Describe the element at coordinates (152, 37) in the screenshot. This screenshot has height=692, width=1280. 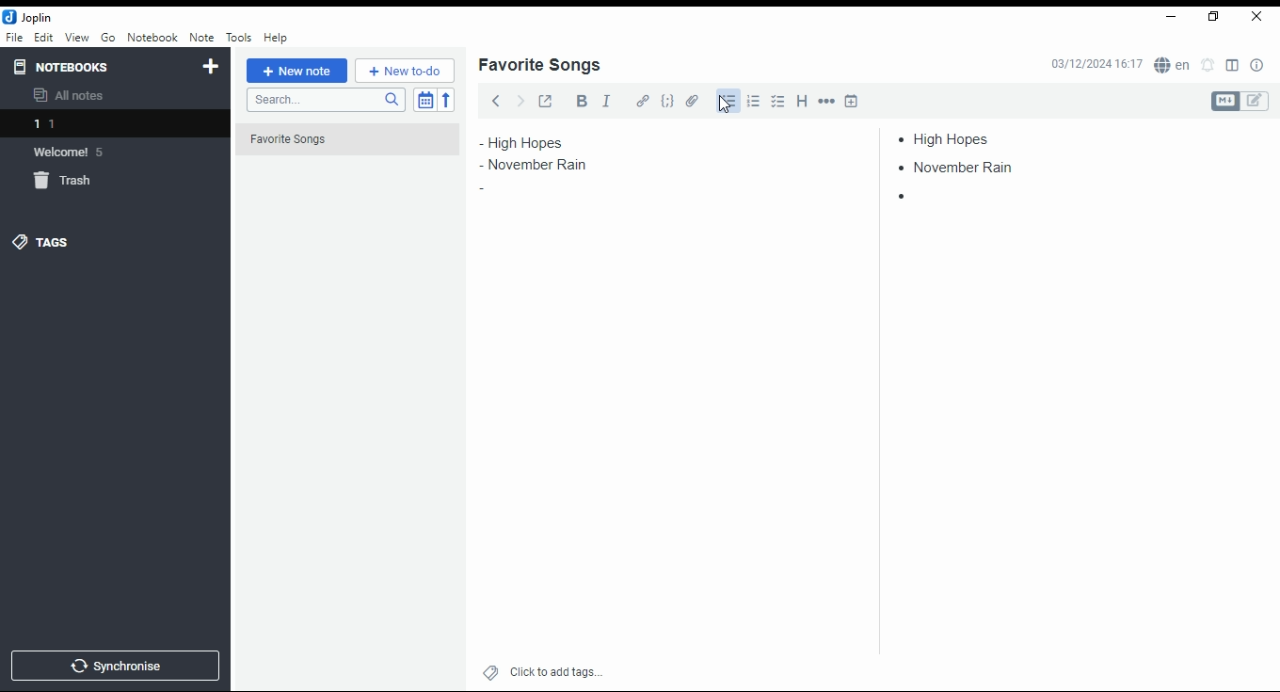
I see `notebook` at that location.